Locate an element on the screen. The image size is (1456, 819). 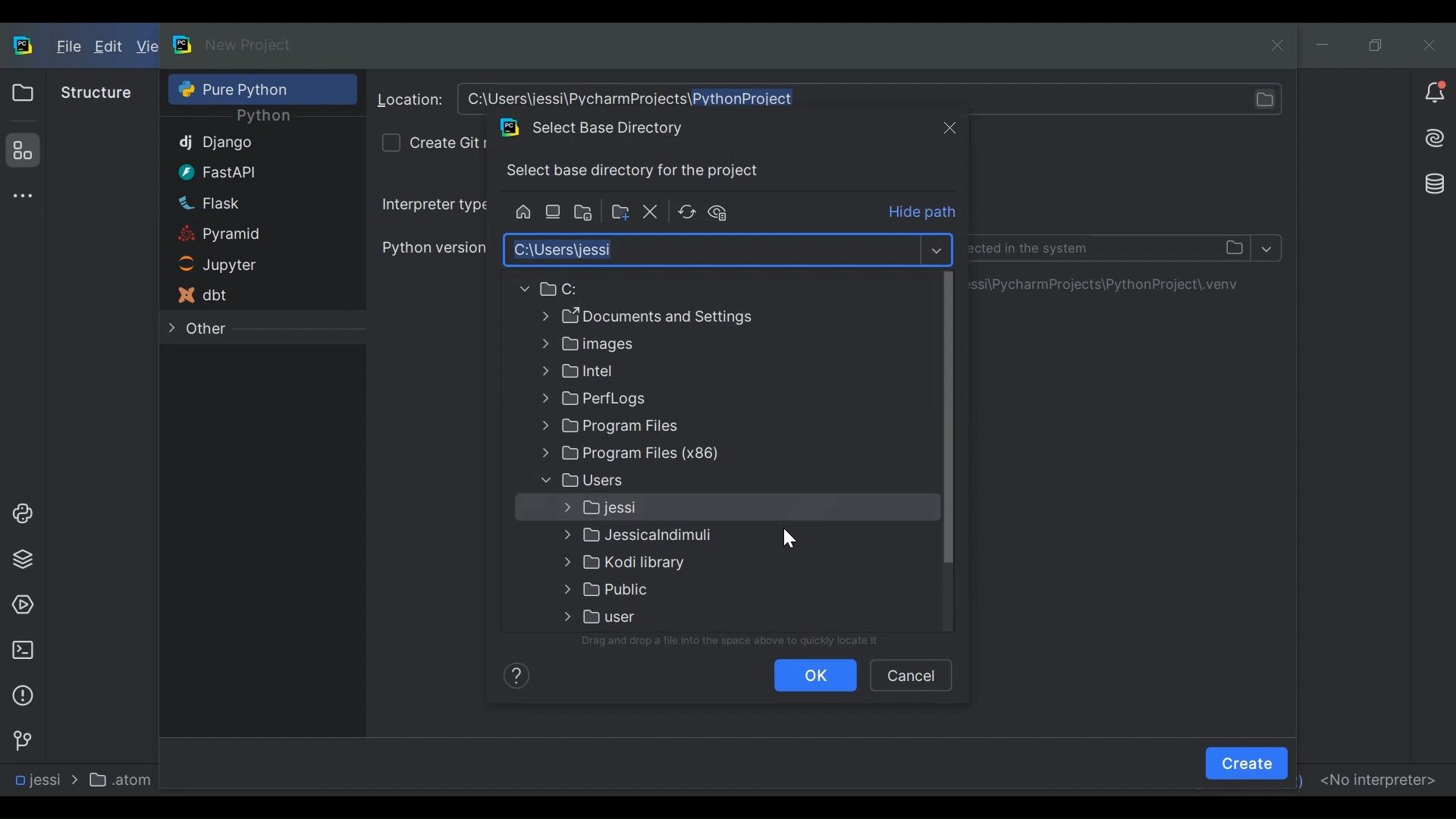
PyCharm Desktop Icon is located at coordinates (24, 47).